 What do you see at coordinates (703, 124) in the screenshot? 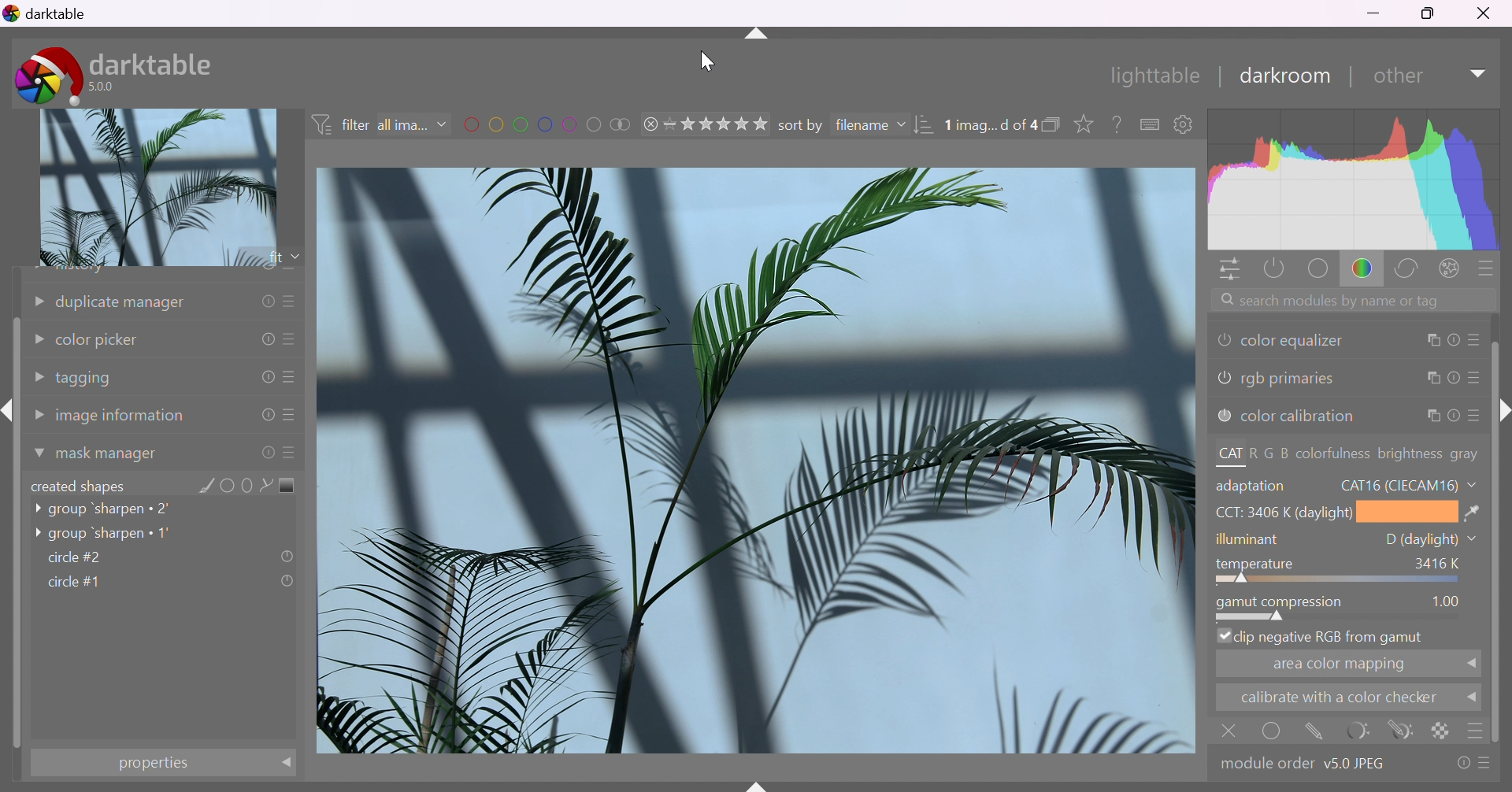
I see `range rating` at bounding box center [703, 124].